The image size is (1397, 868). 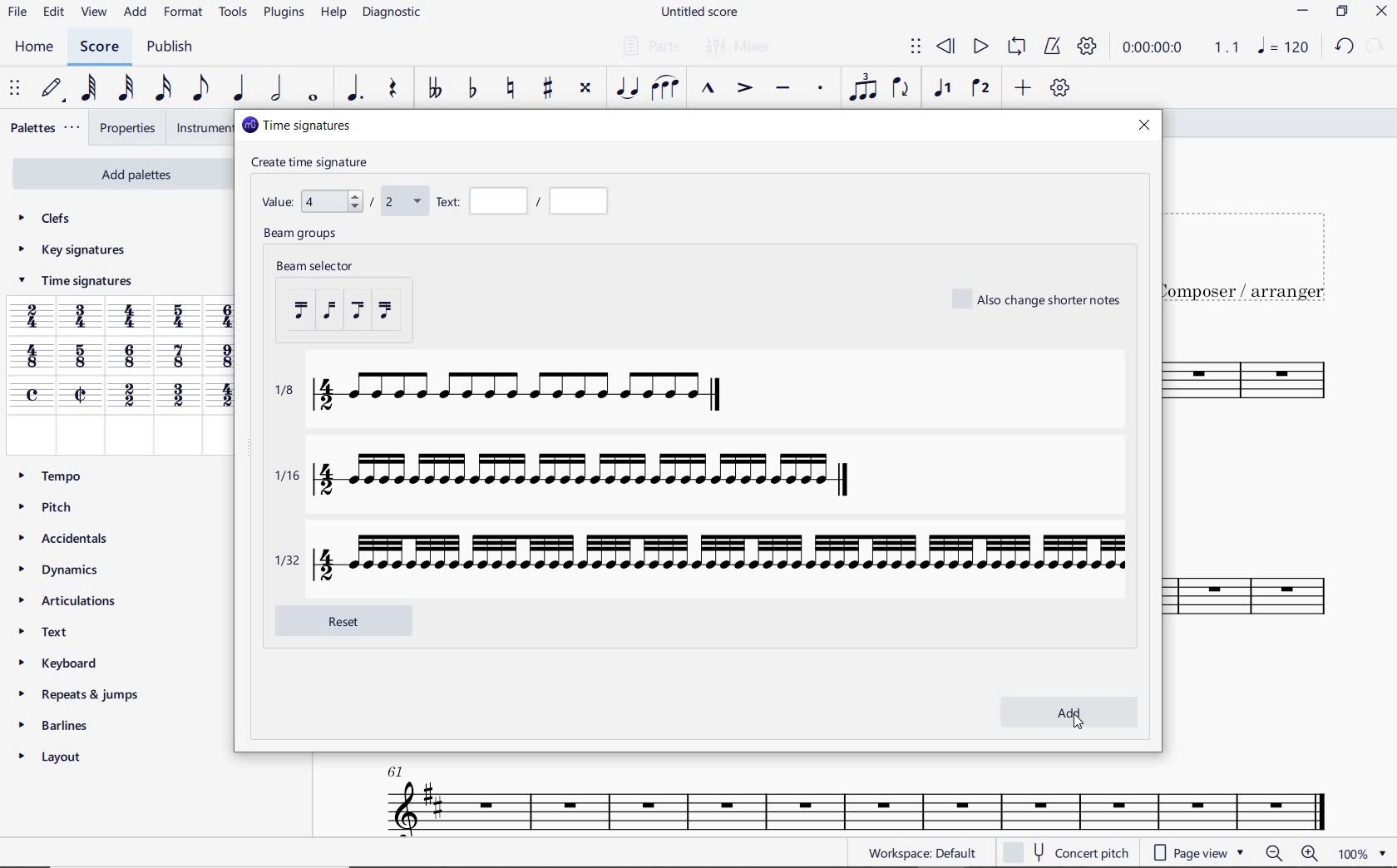 I want to click on TEMPO, so click(x=57, y=476).